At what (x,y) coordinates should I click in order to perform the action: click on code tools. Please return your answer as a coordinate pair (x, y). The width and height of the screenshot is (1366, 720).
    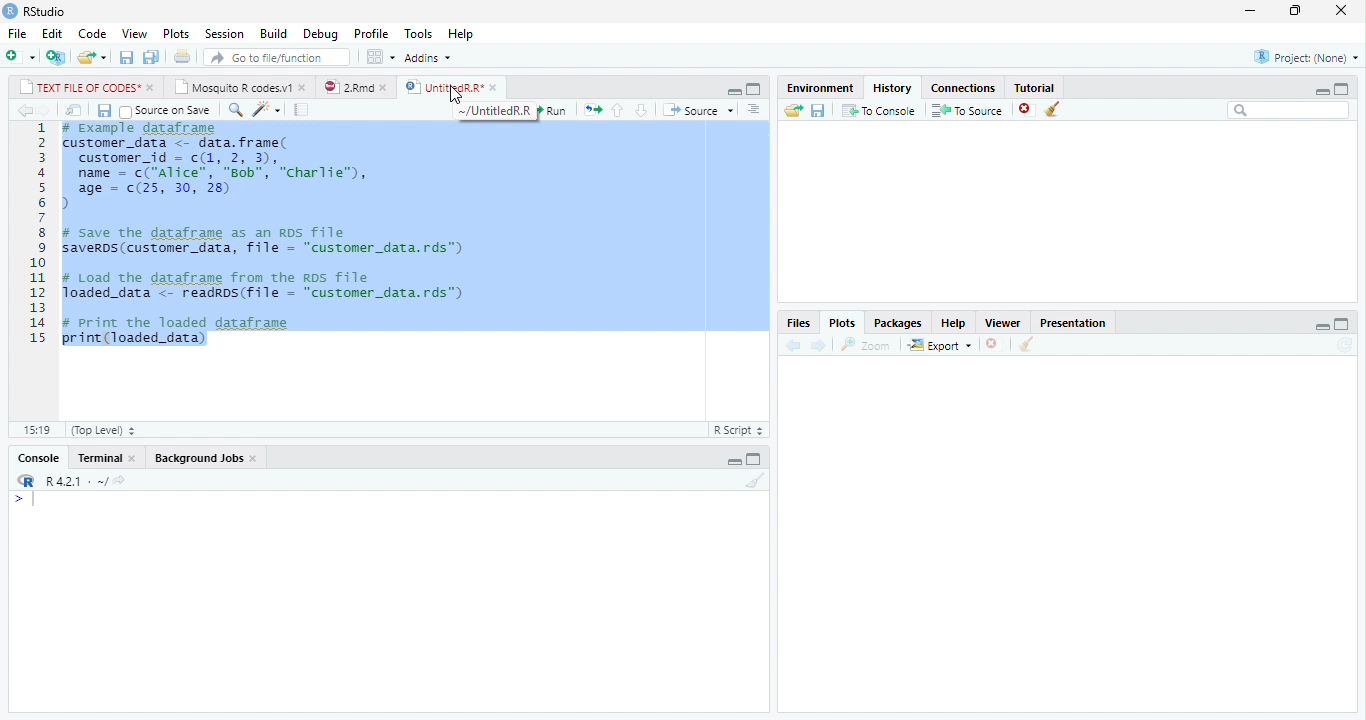
    Looking at the image, I should click on (267, 110).